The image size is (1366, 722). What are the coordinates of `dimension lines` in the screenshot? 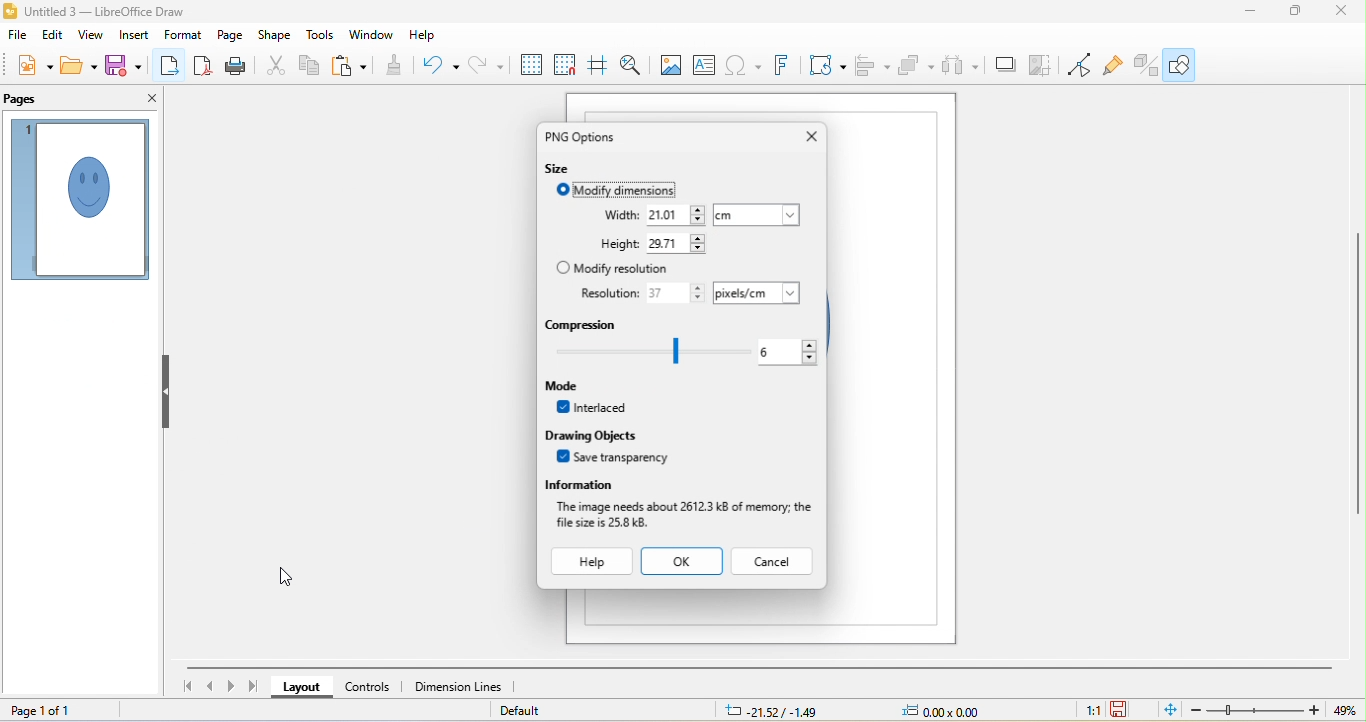 It's located at (458, 685).